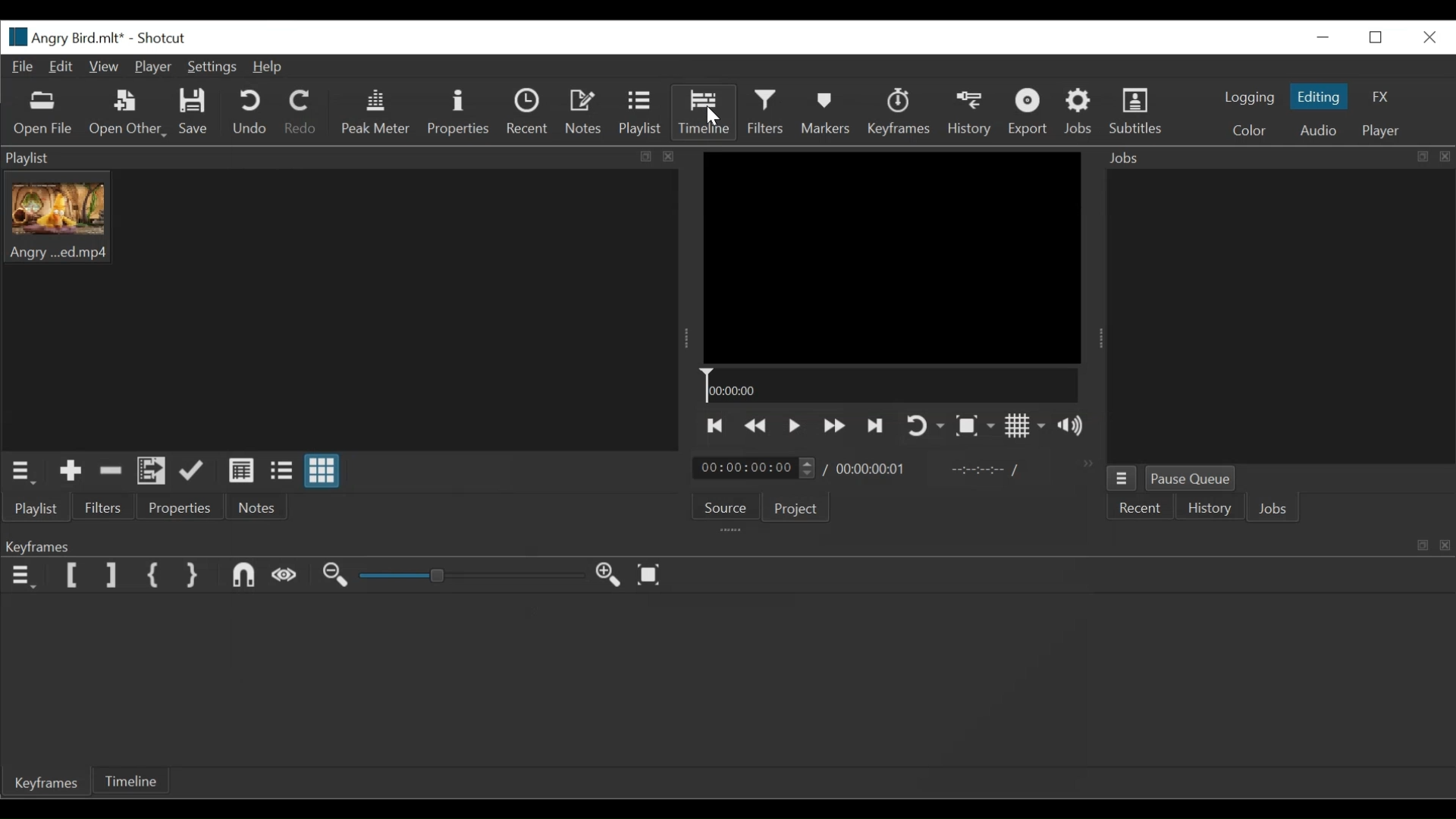 Image resolution: width=1456 pixels, height=819 pixels. Describe the element at coordinates (1075, 427) in the screenshot. I see `Show volume control` at that location.